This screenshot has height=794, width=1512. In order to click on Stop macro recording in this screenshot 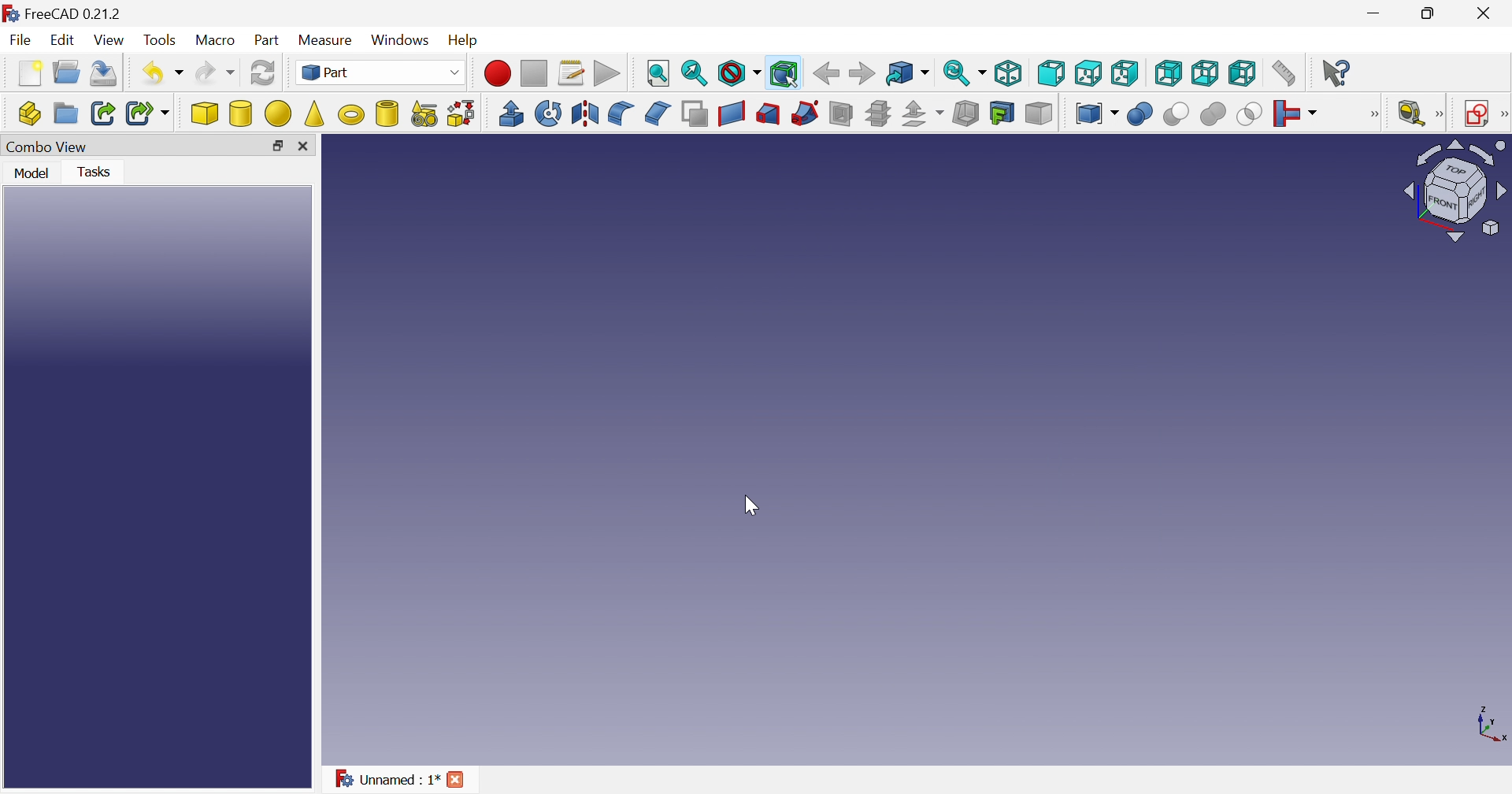, I will do `click(535, 75)`.